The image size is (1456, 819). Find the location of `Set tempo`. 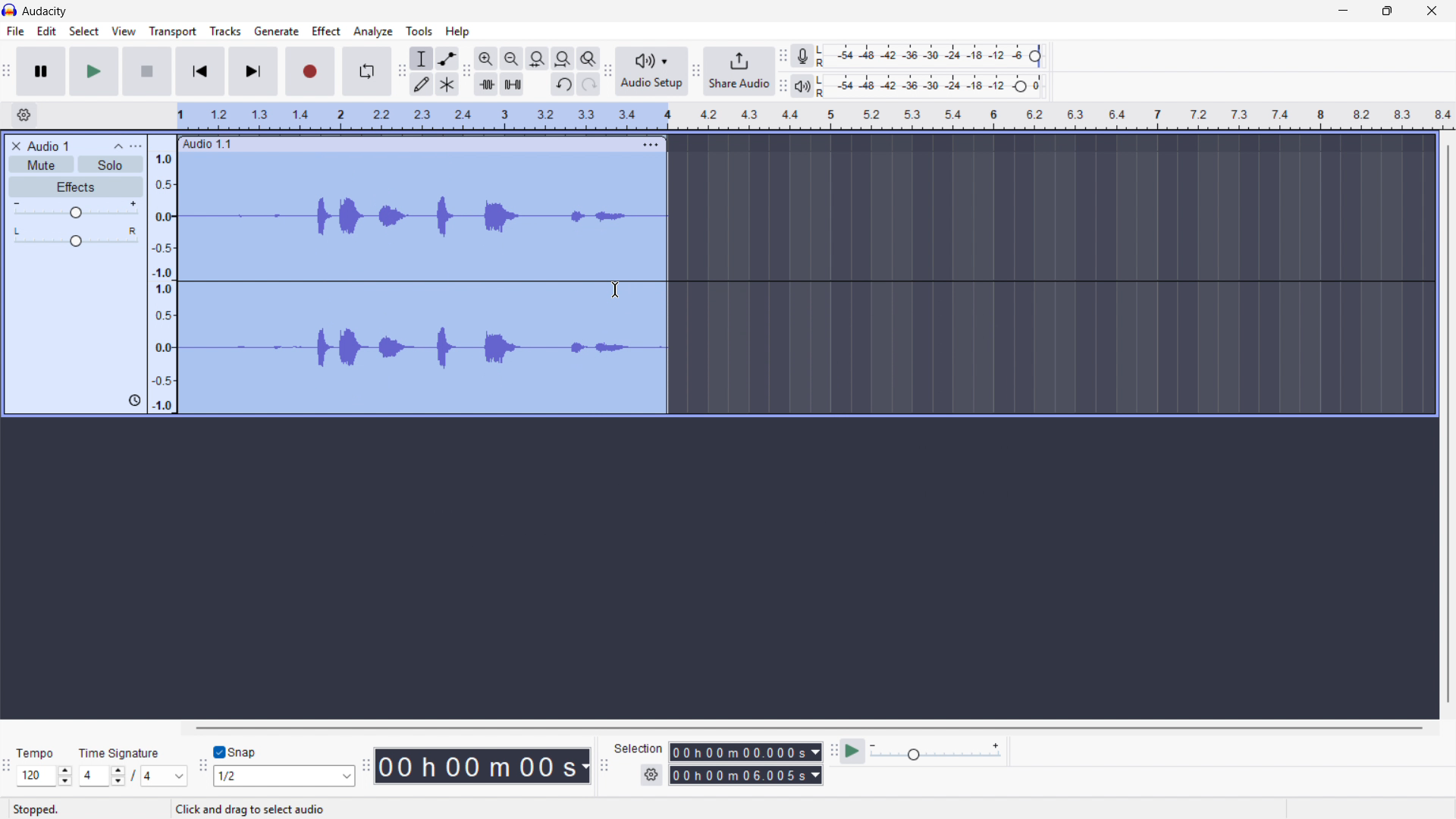

Set tempo is located at coordinates (43, 767).